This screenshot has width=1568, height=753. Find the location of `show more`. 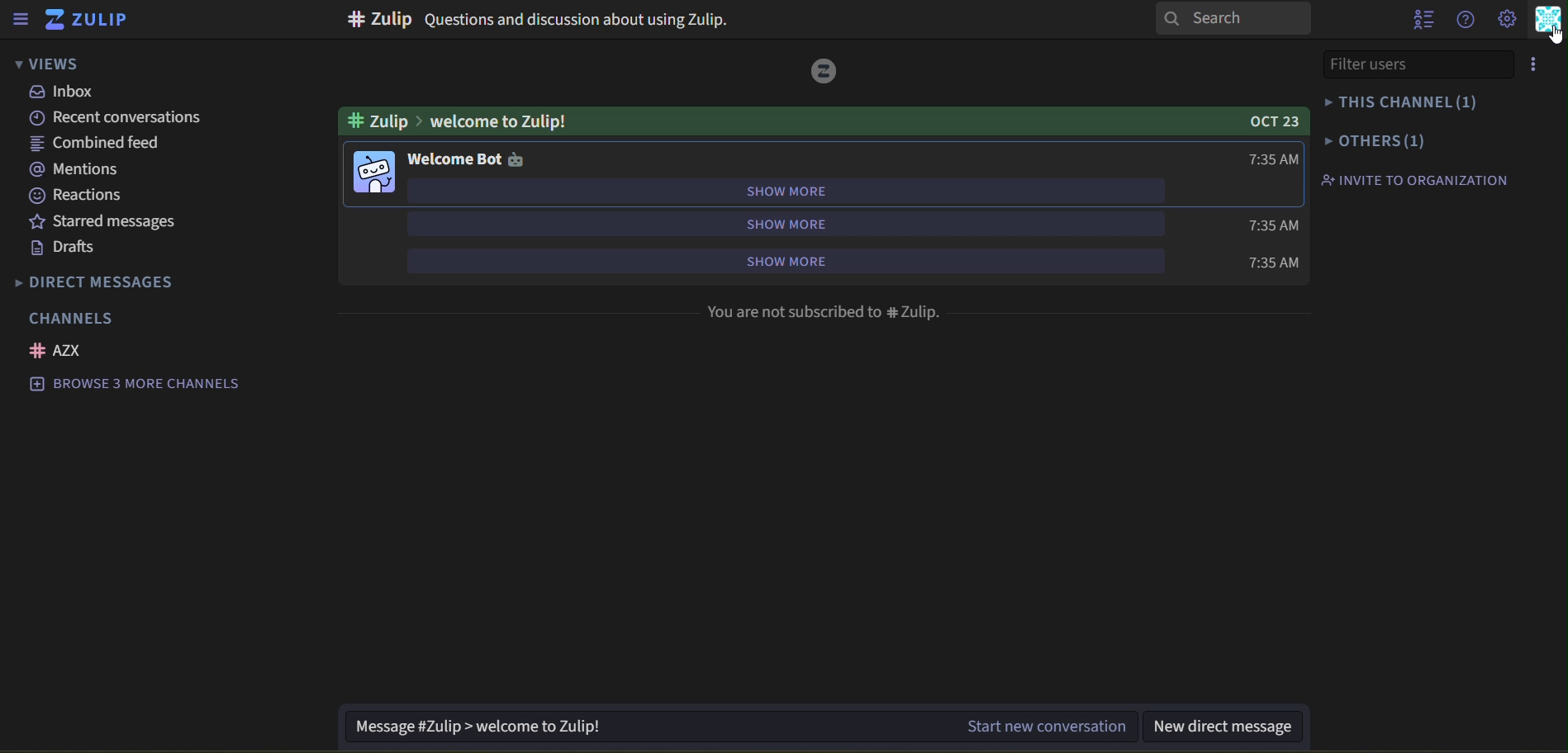

show more is located at coordinates (786, 191).